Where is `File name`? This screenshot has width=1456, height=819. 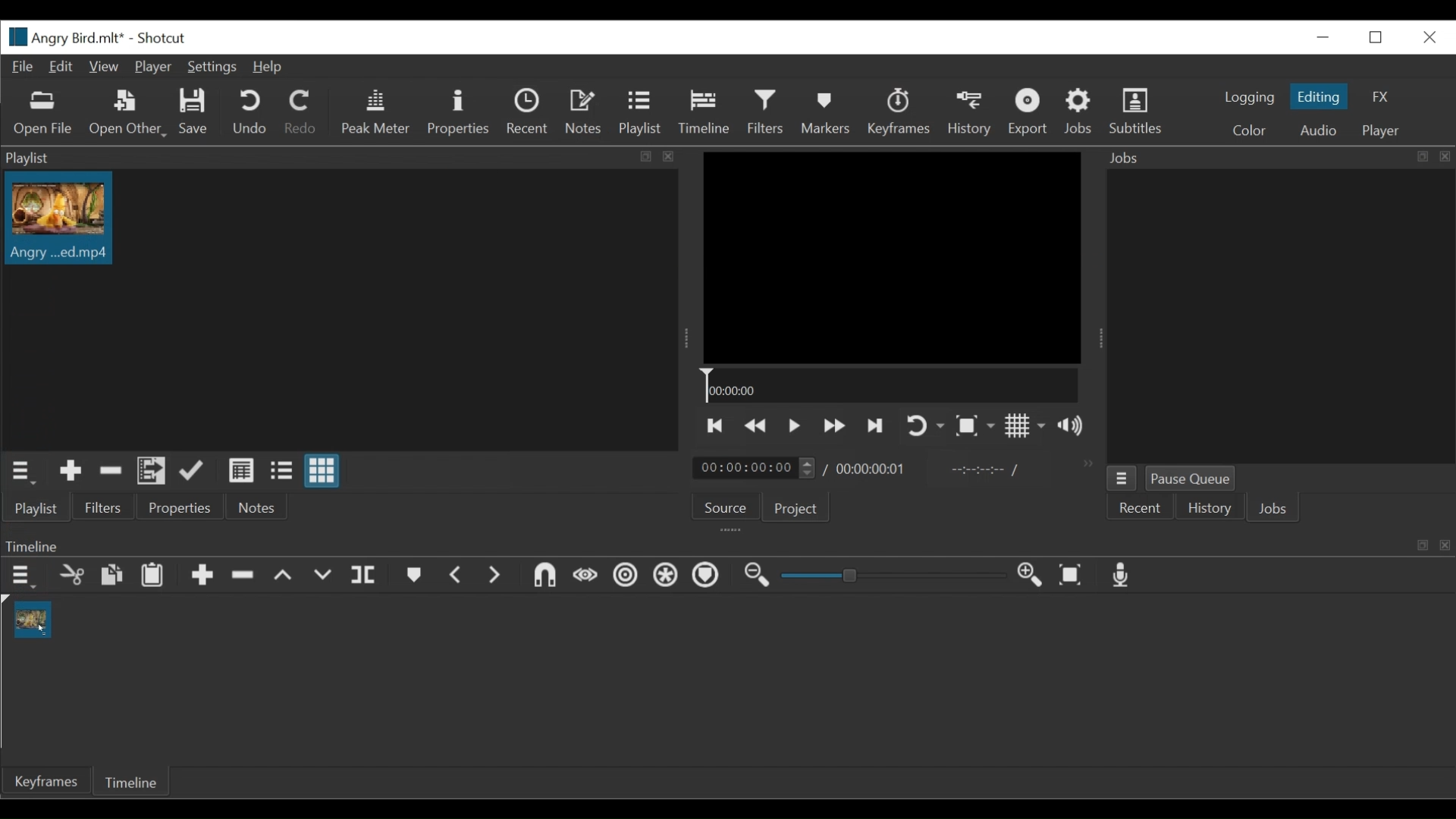 File name is located at coordinates (62, 37).